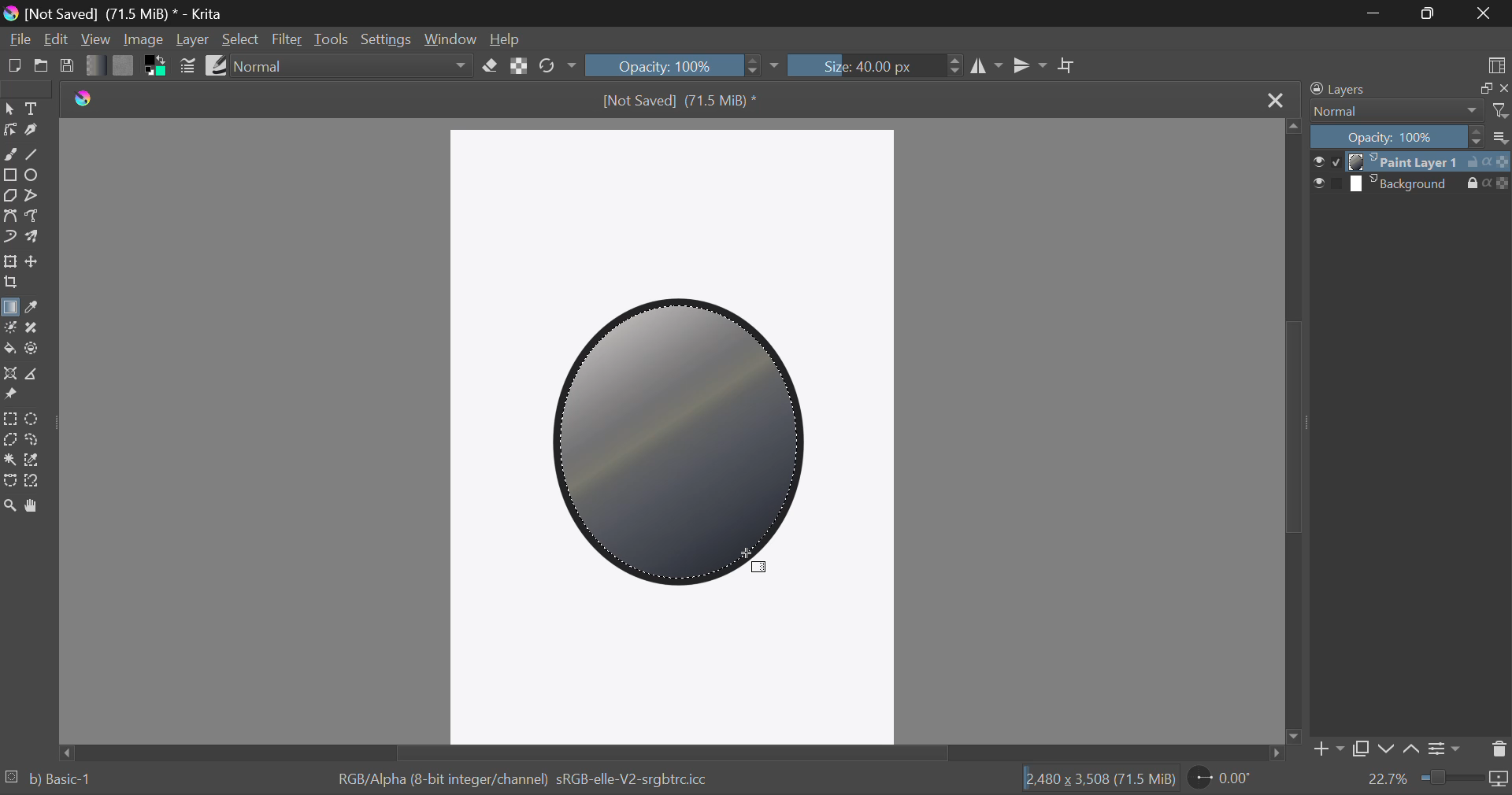  I want to click on Settings, so click(1447, 749).